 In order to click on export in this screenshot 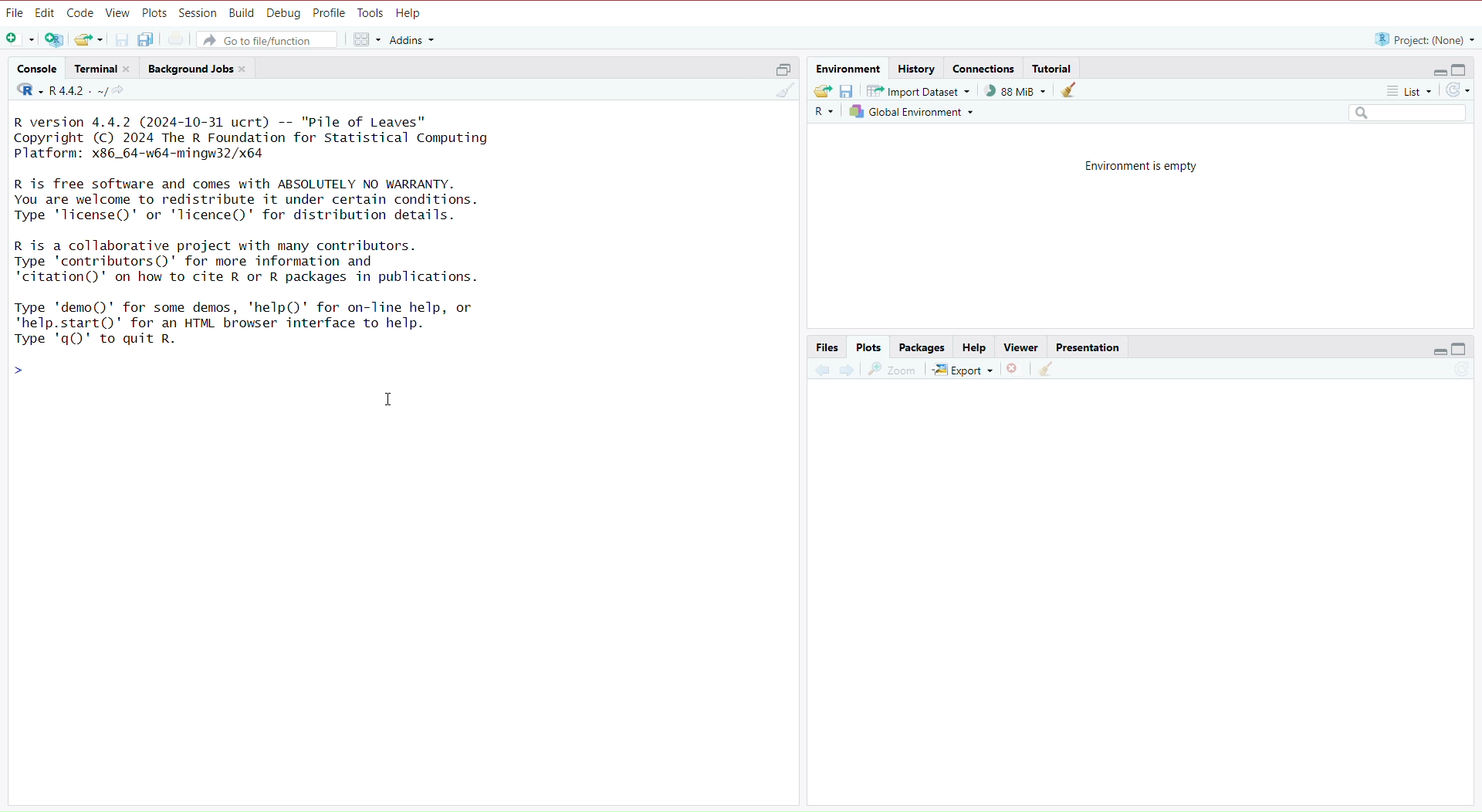, I will do `click(962, 371)`.